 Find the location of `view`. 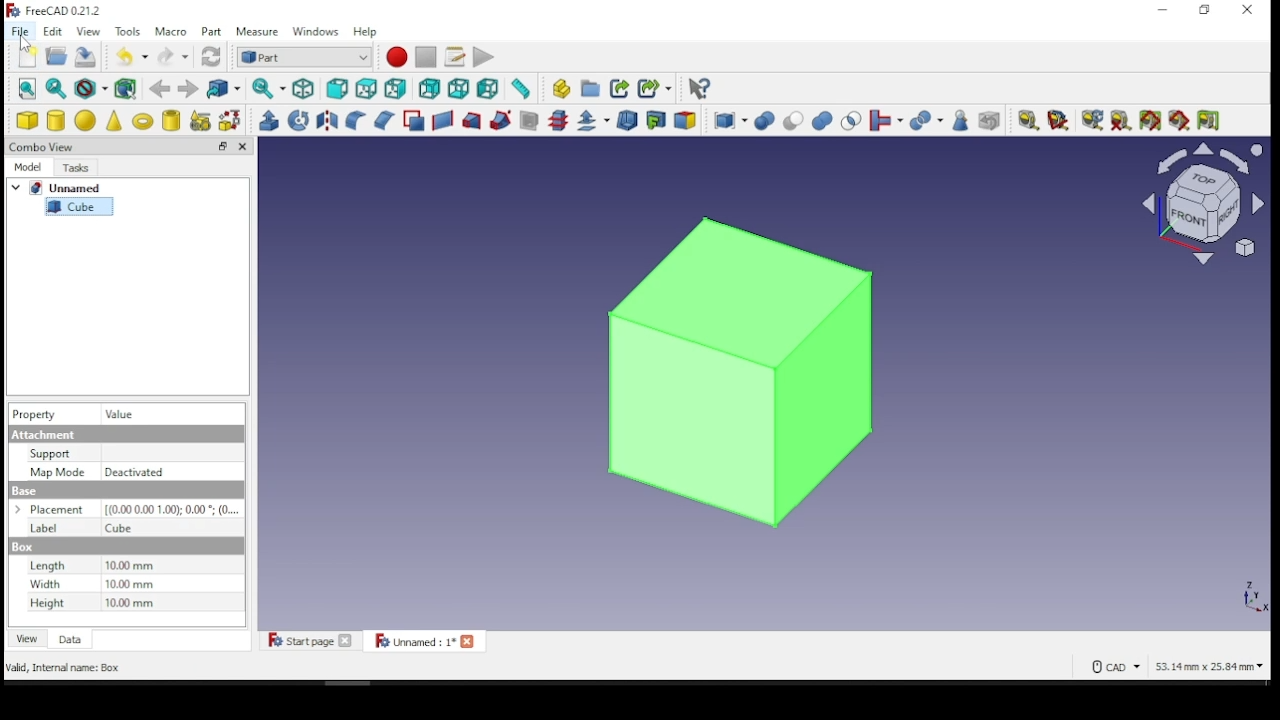

view is located at coordinates (88, 31).